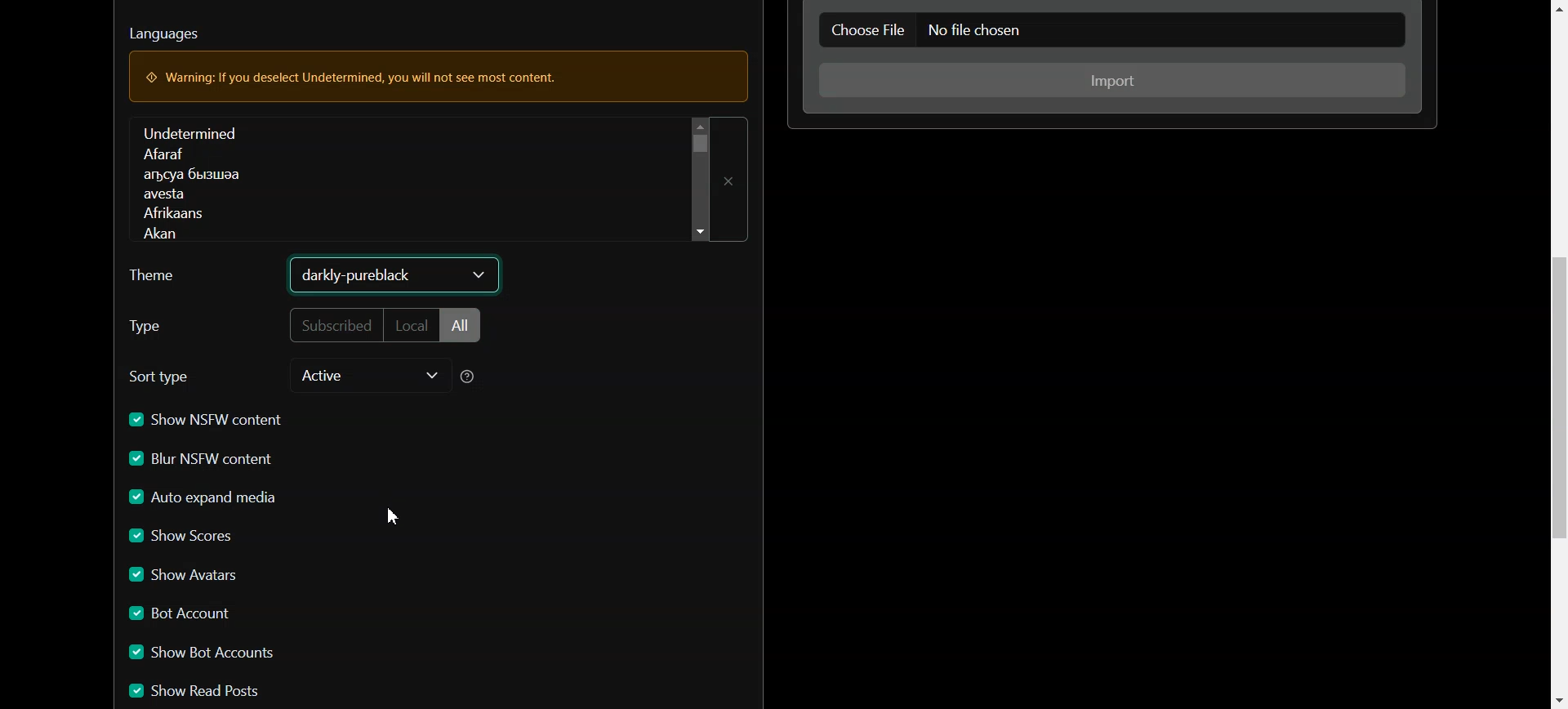 Image resolution: width=1568 pixels, height=709 pixels. I want to click on Languages Warning: If you deselect undetermined, you will not see most content., so click(436, 58).